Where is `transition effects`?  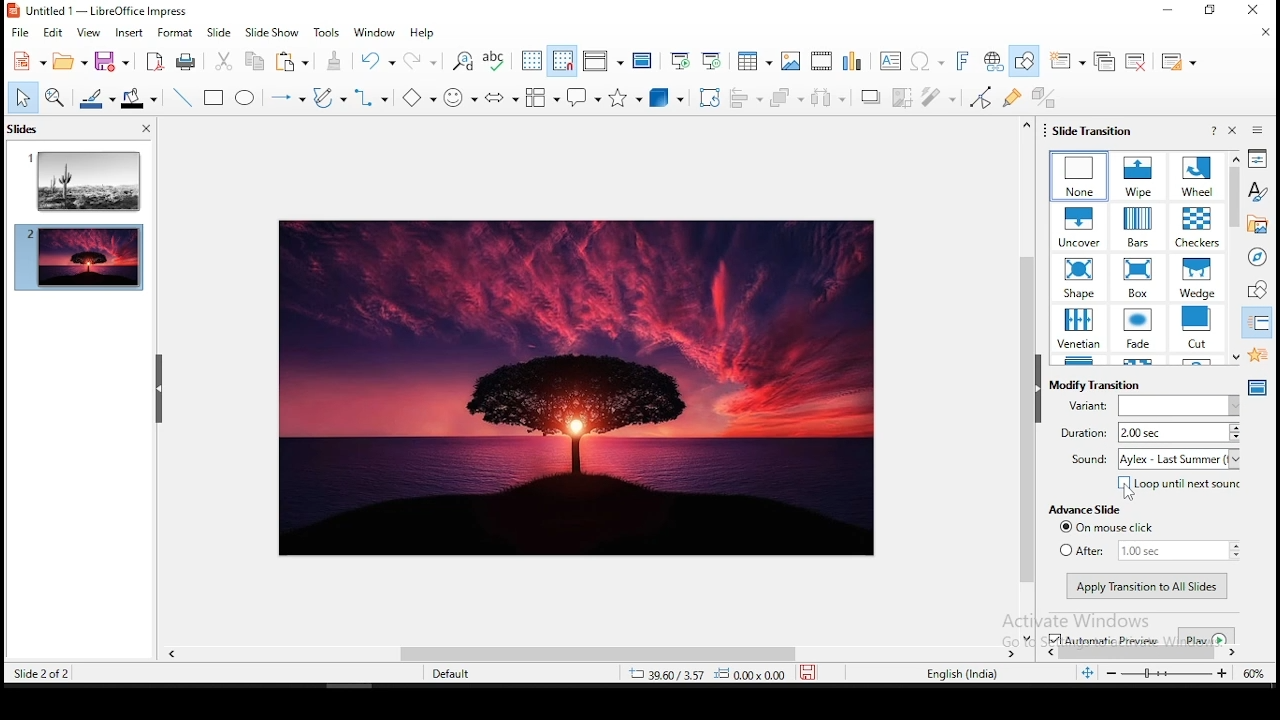
transition effects is located at coordinates (1138, 277).